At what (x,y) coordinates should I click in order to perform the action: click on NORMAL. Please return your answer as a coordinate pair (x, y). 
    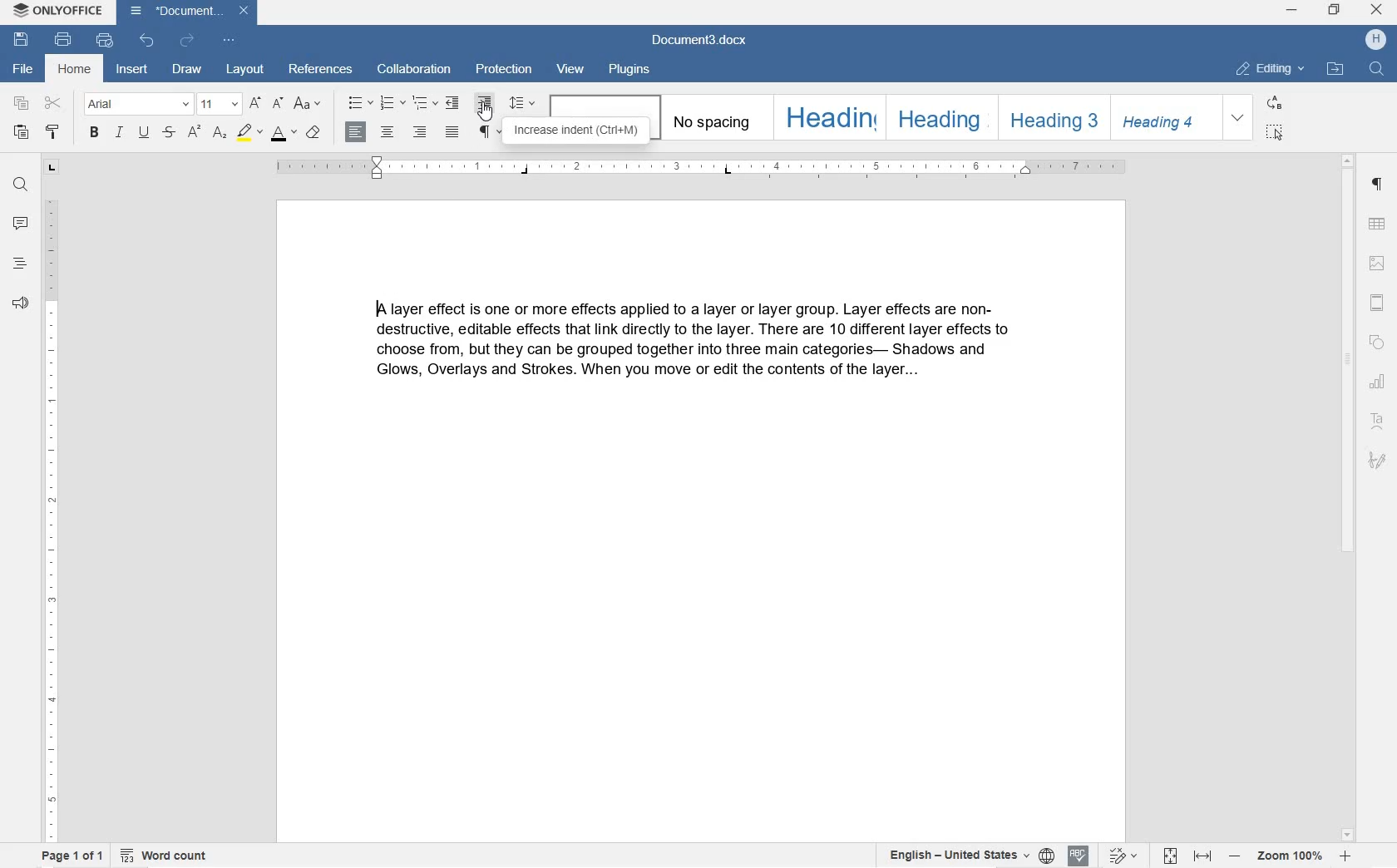
    Looking at the image, I should click on (603, 106).